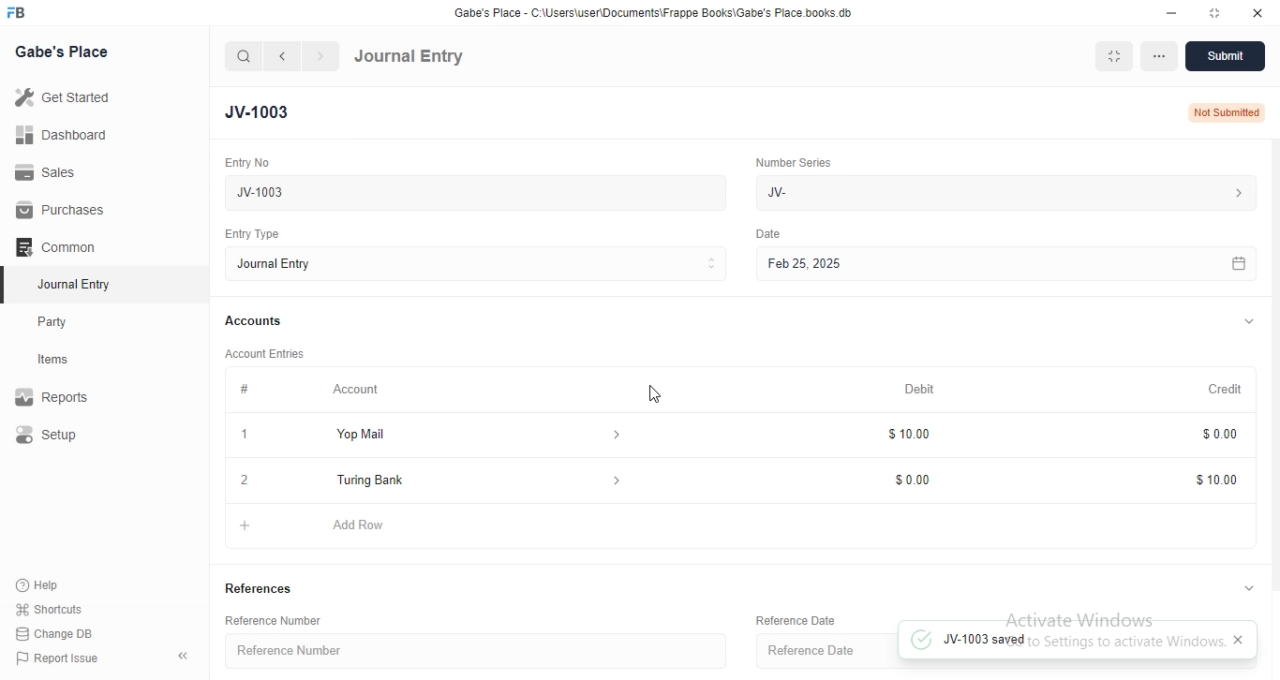 This screenshot has height=680, width=1280. What do you see at coordinates (470, 654) in the screenshot?
I see `Reference Number` at bounding box center [470, 654].